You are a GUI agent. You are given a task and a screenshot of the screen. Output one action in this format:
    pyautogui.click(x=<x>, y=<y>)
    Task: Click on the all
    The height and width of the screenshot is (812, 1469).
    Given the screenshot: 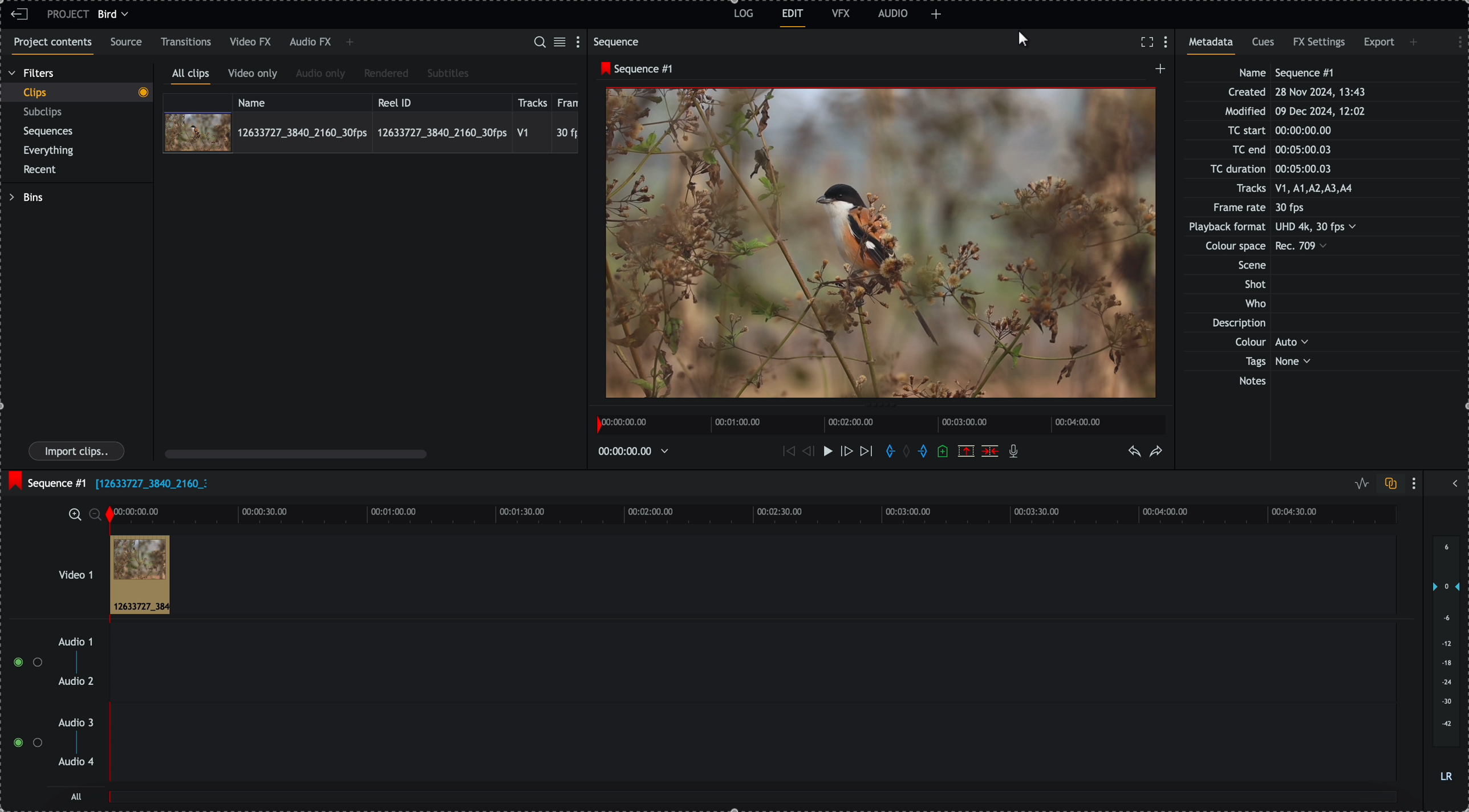 What is the action you would take?
    pyautogui.click(x=754, y=802)
    